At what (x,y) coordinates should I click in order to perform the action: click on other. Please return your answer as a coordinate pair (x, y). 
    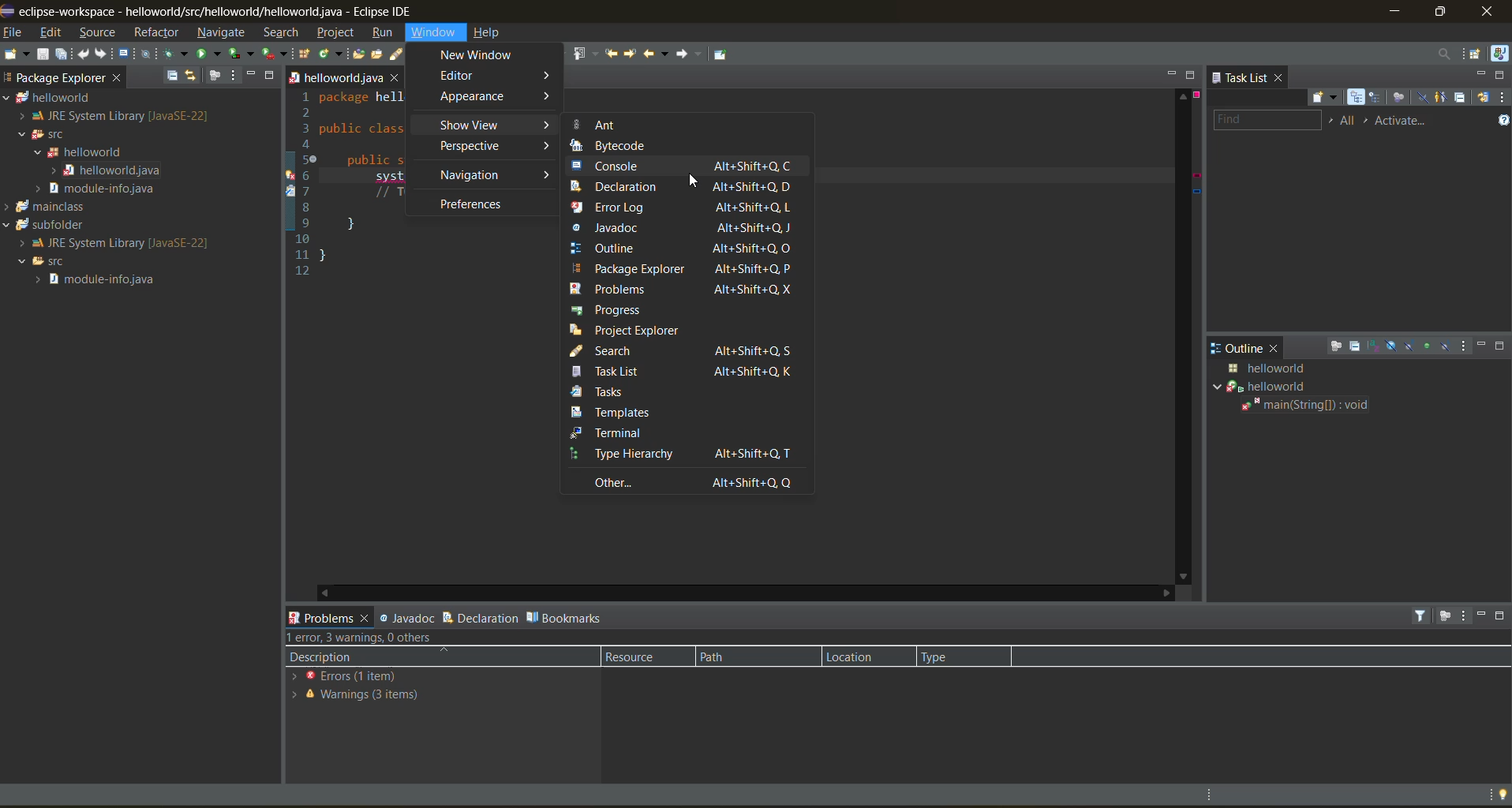
    Looking at the image, I should click on (691, 481).